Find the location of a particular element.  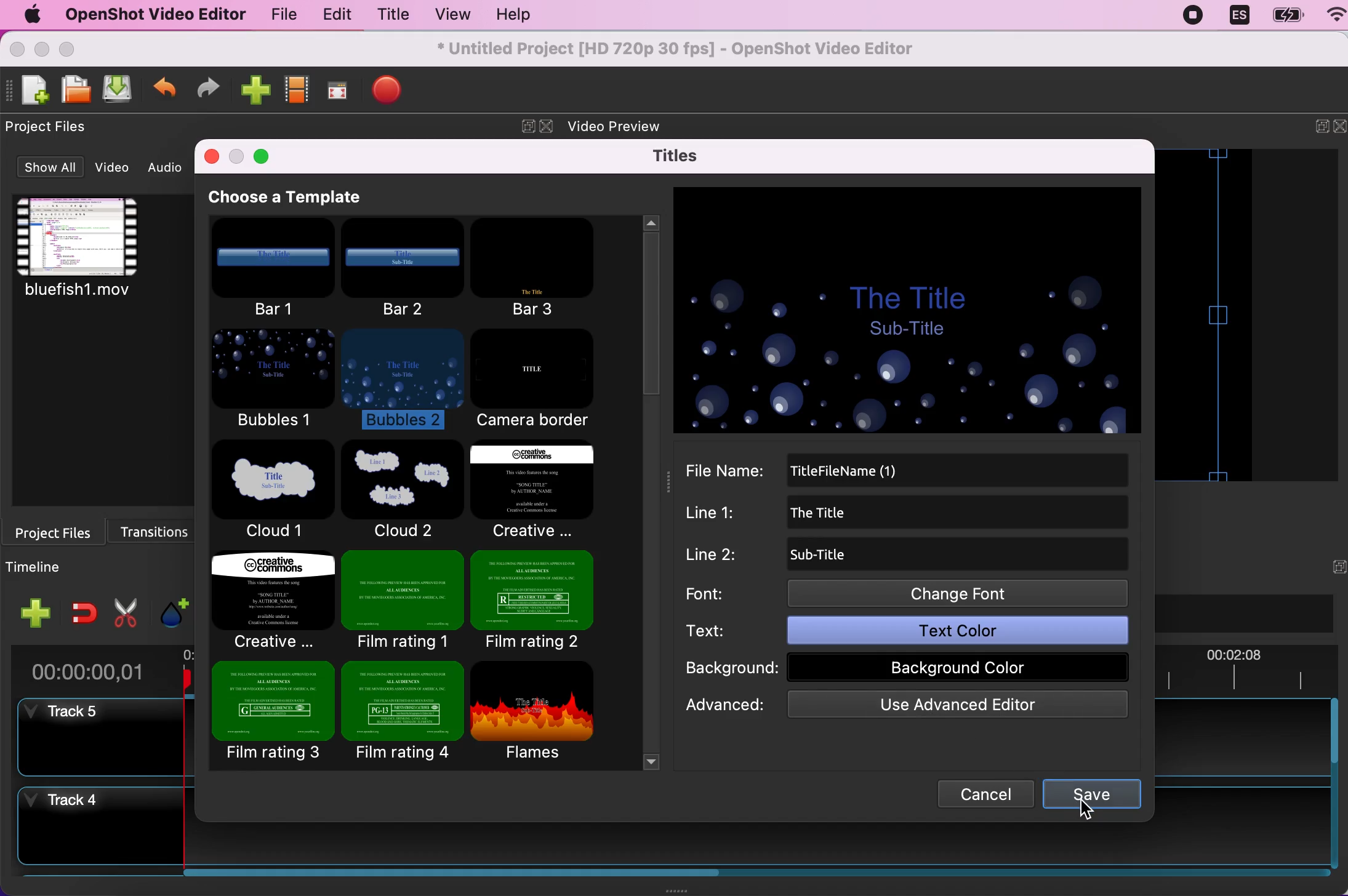

text: is located at coordinates (722, 631).